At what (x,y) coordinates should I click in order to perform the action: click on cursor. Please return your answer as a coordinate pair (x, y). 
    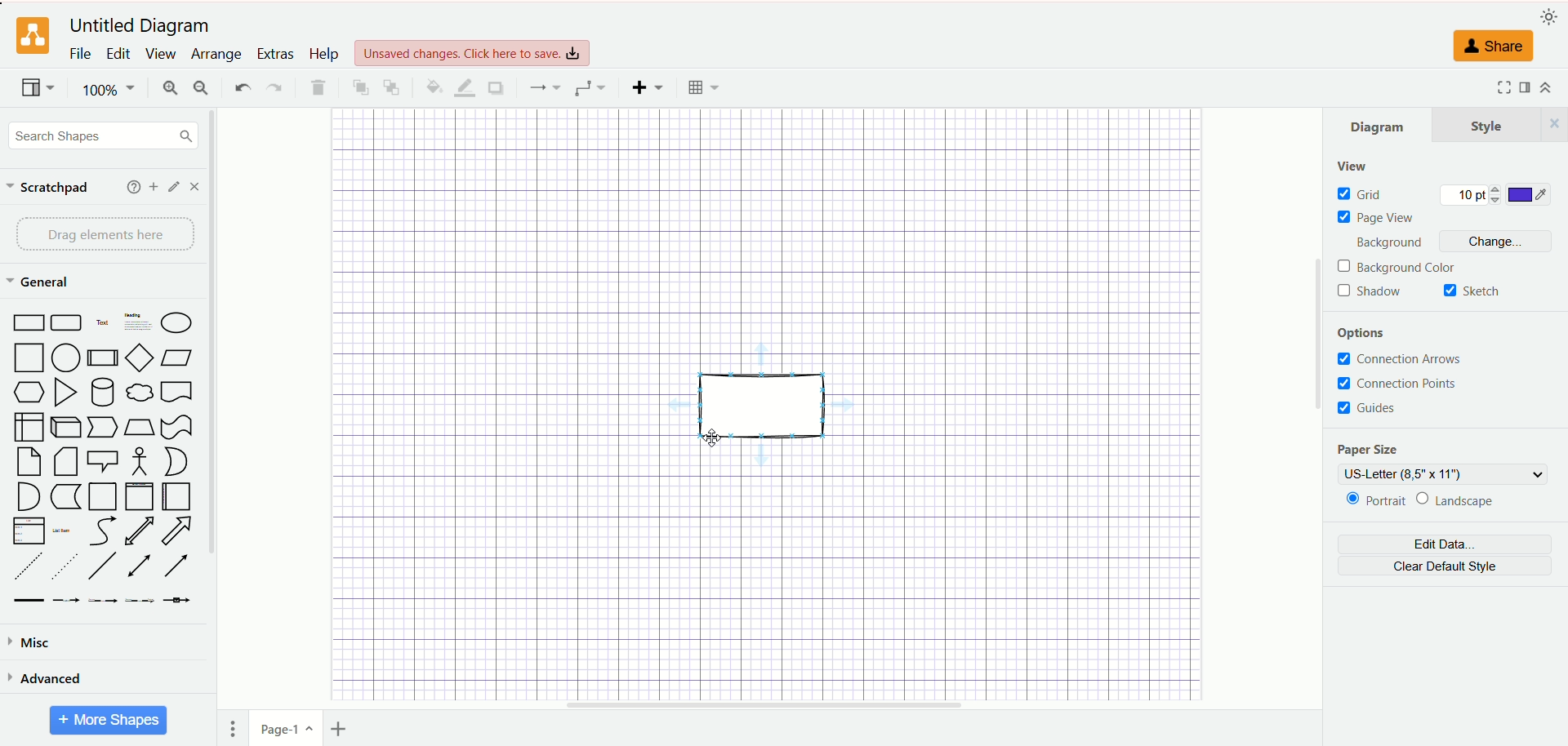
    Looking at the image, I should click on (710, 439).